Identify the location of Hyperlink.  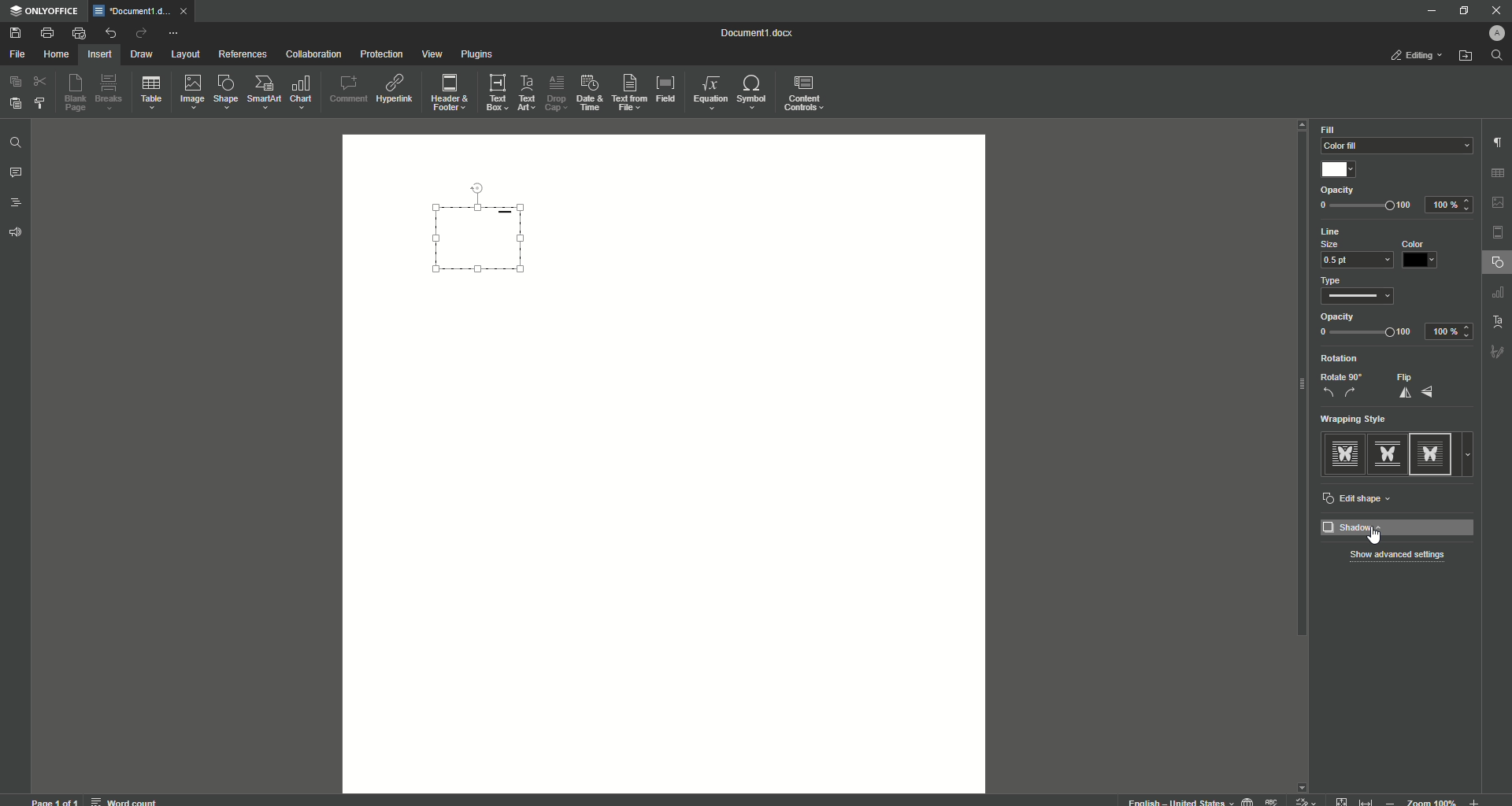
(396, 89).